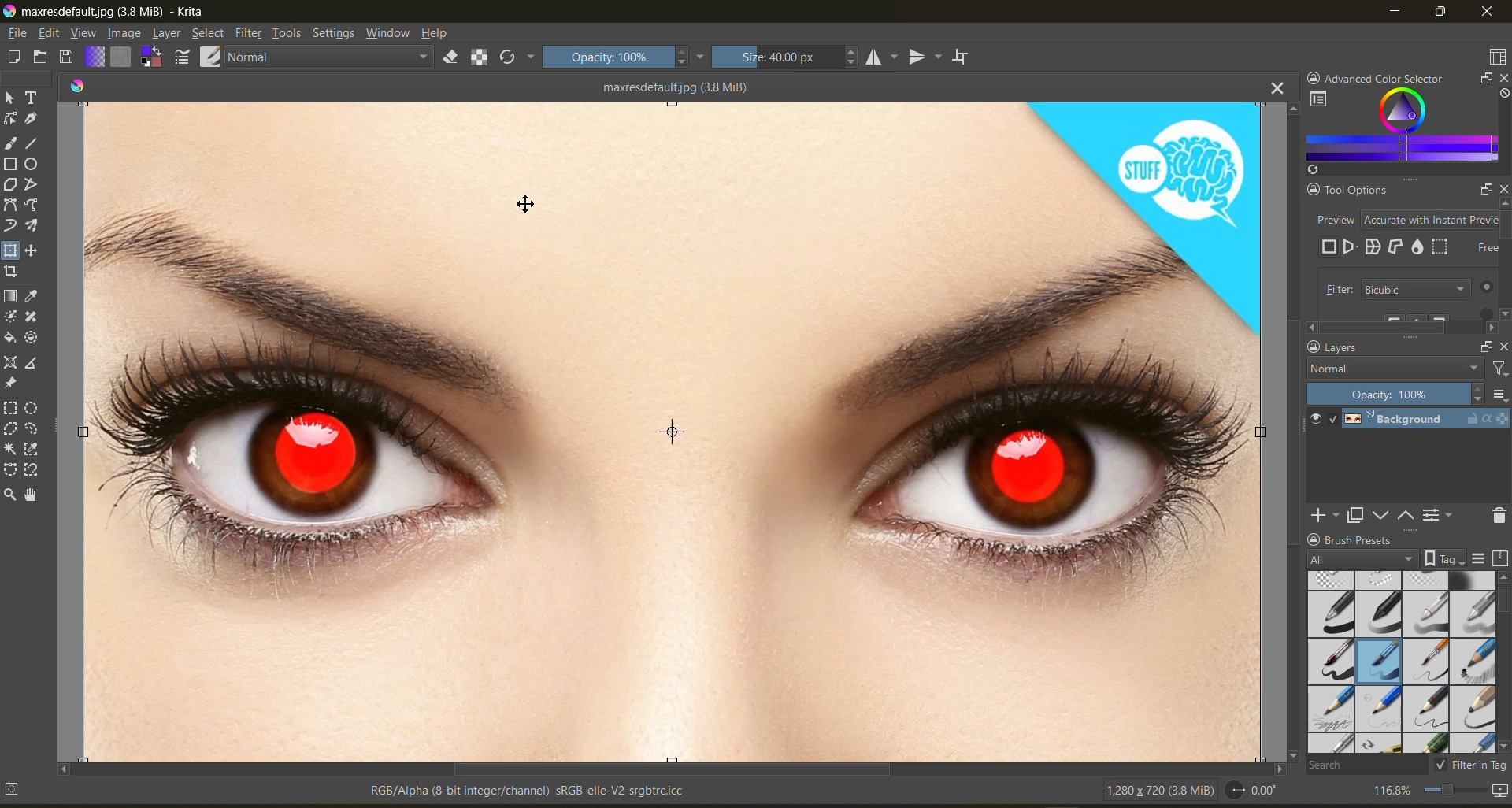  I want to click on tool, so click(9, 362).